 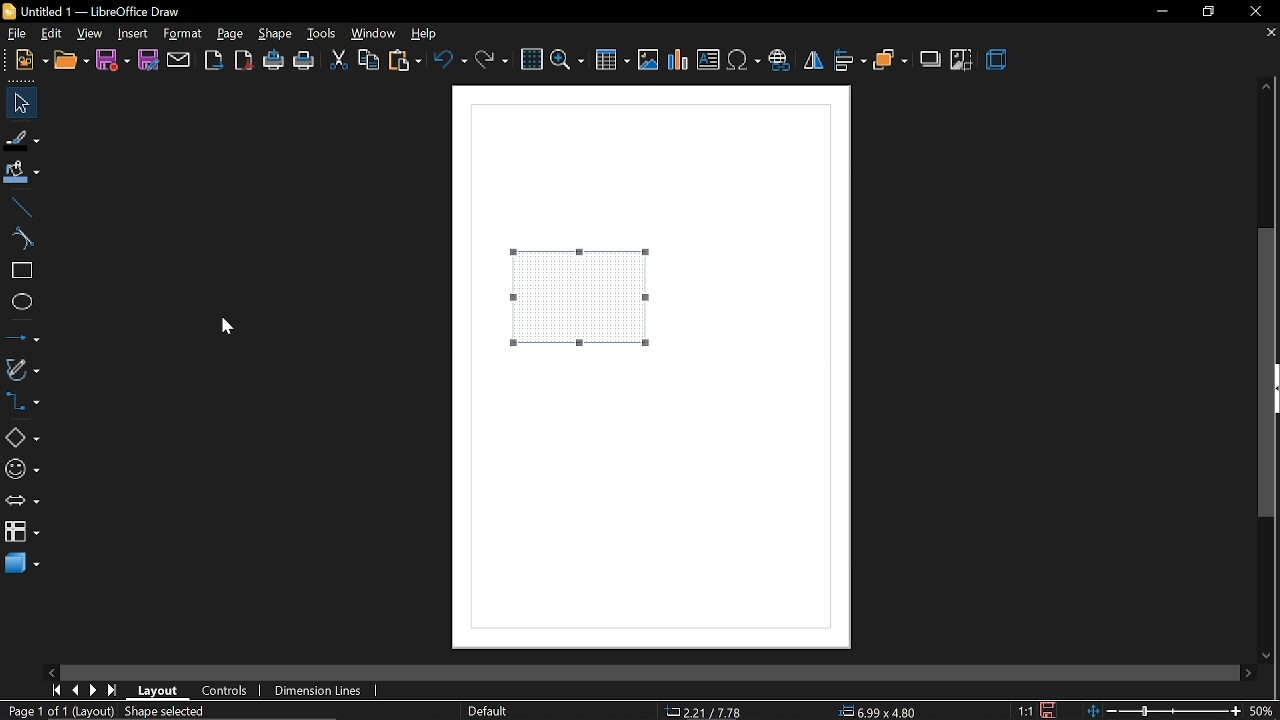 I want to click on vertical scrollbar, so click(x=1269, y=372).